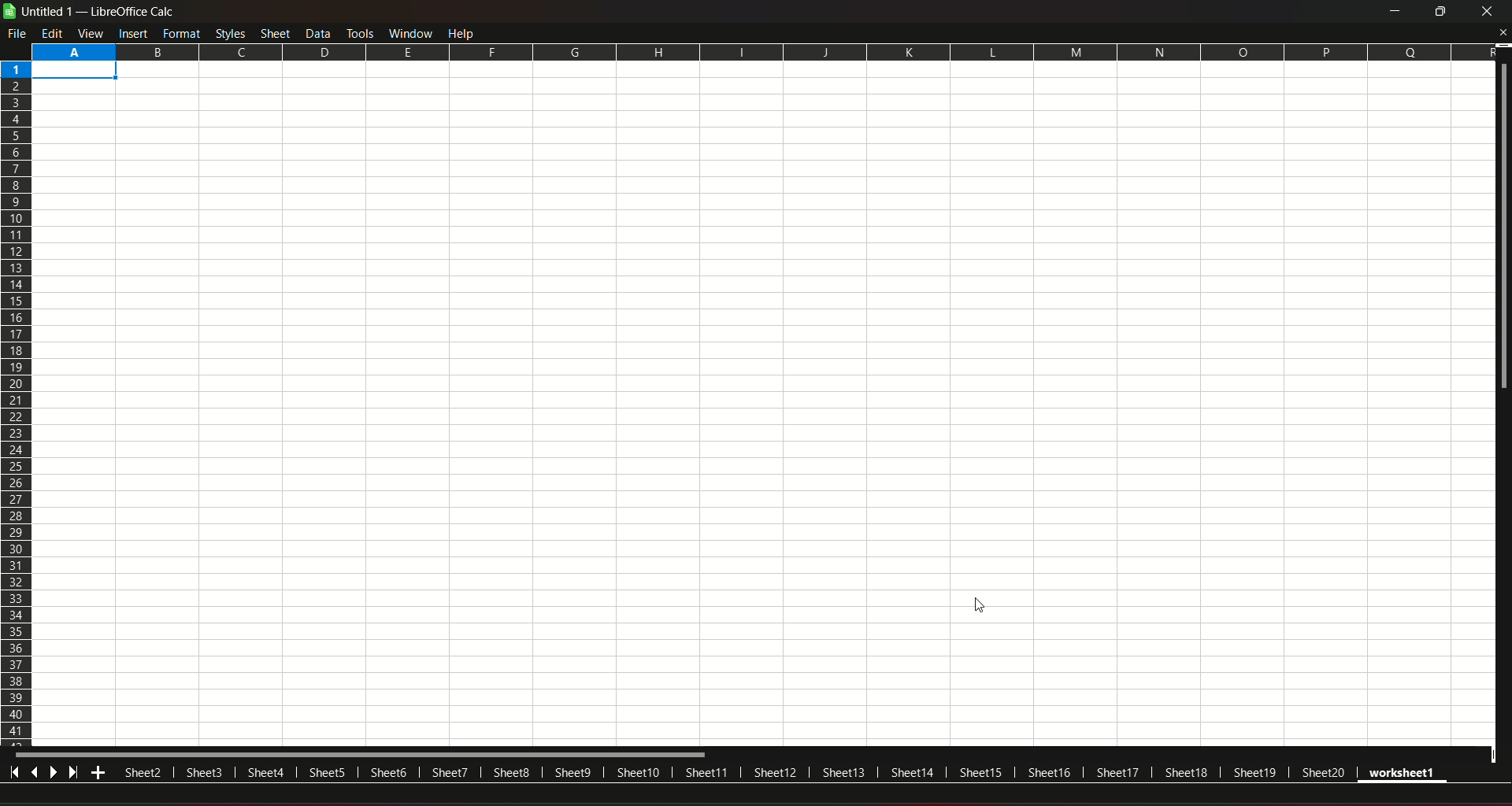  What do you see at coordinates (276, 32) in the screenshot?
I see `Sheet` at bounding box center [276, 32].